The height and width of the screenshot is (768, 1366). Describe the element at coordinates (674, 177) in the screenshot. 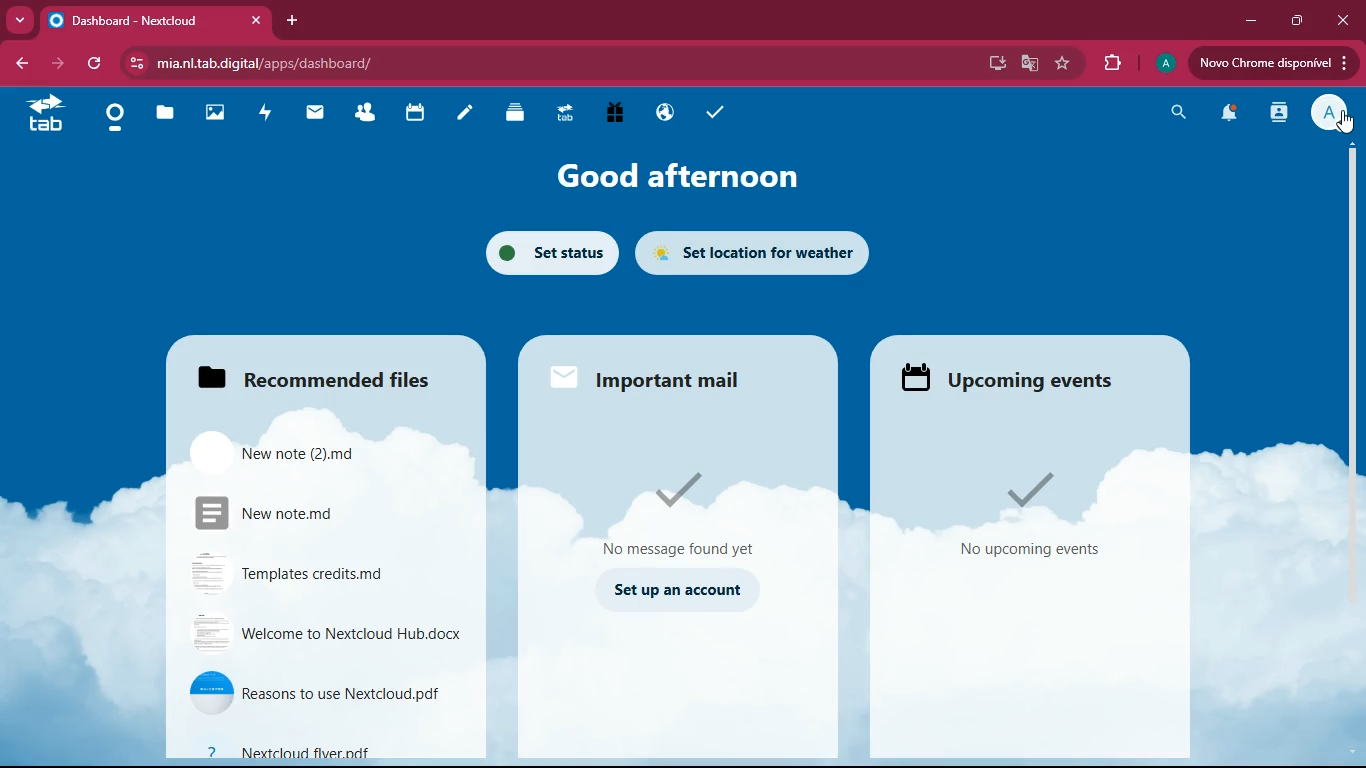

I see `good afternoon ` at that location.